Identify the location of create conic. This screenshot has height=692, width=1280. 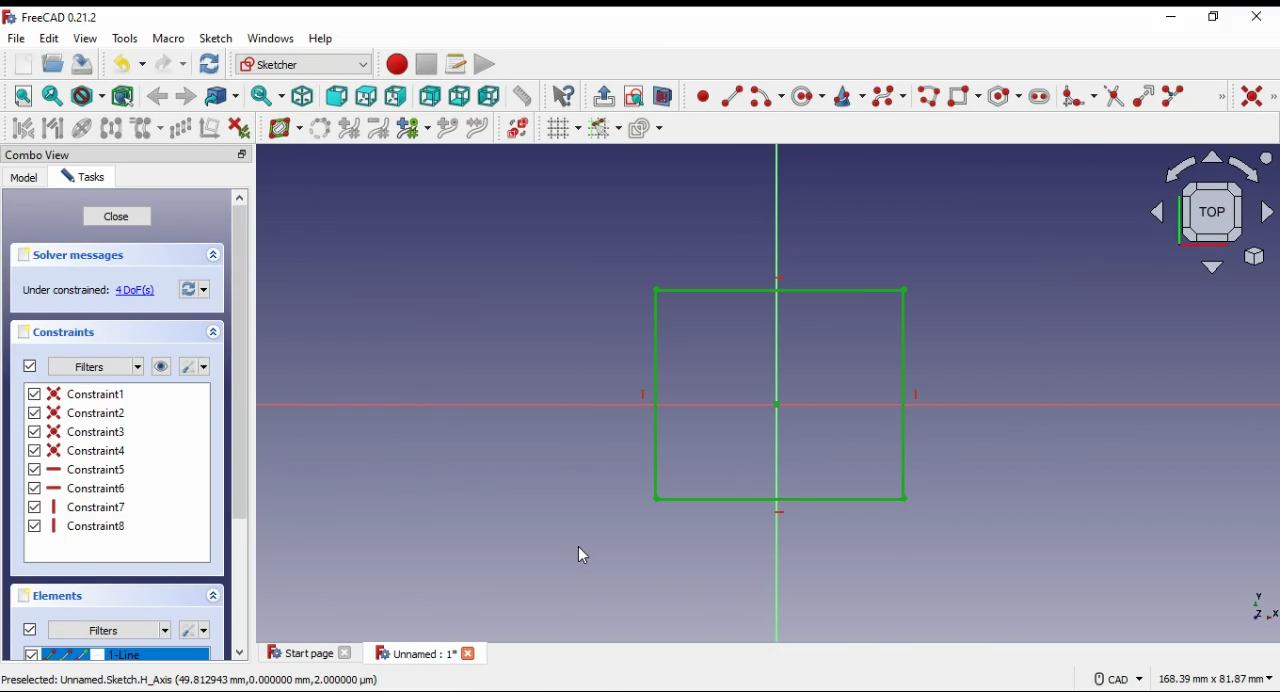
(848, 96).